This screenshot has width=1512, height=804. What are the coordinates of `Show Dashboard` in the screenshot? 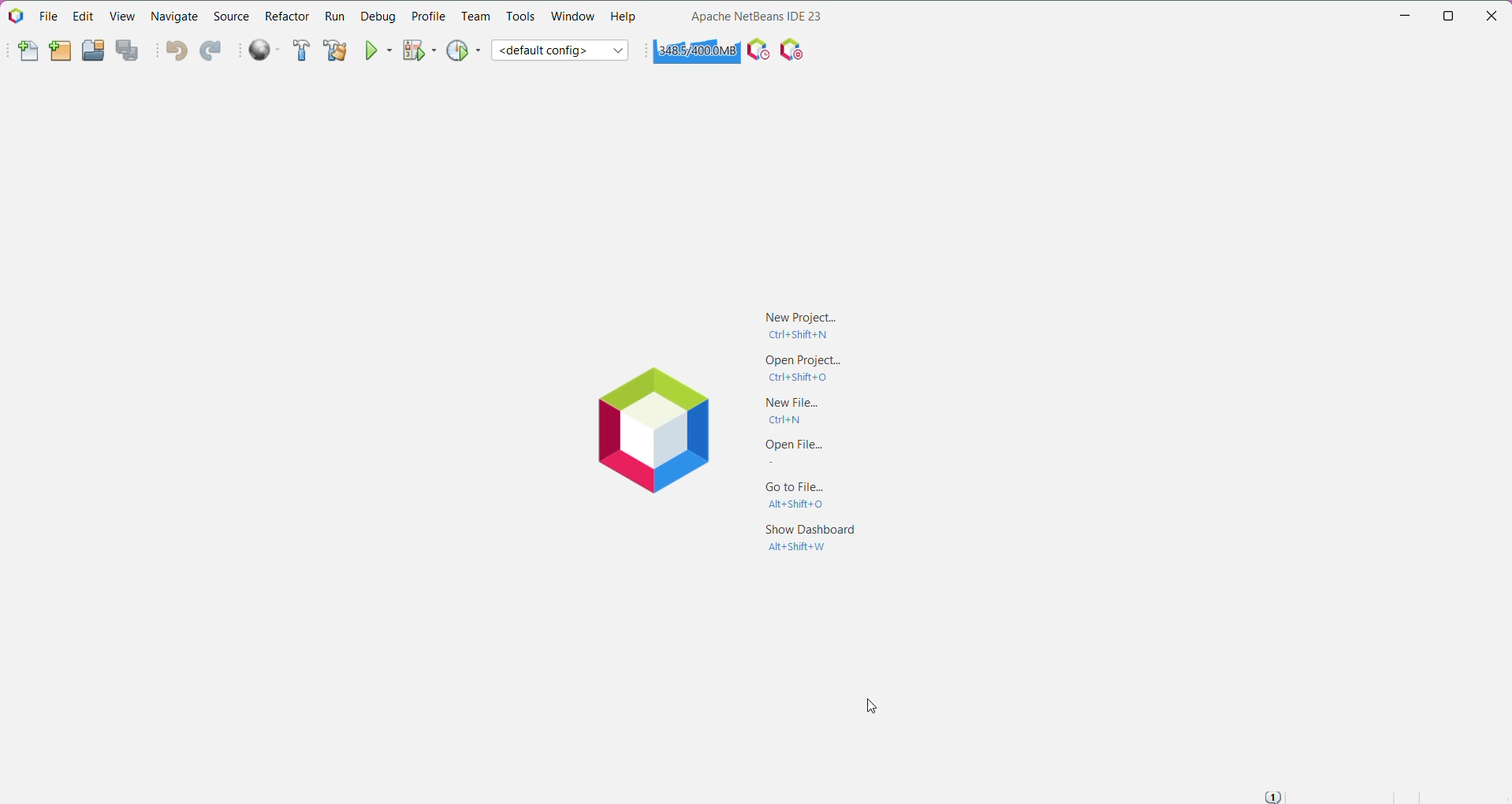 It's located at (811, 541).